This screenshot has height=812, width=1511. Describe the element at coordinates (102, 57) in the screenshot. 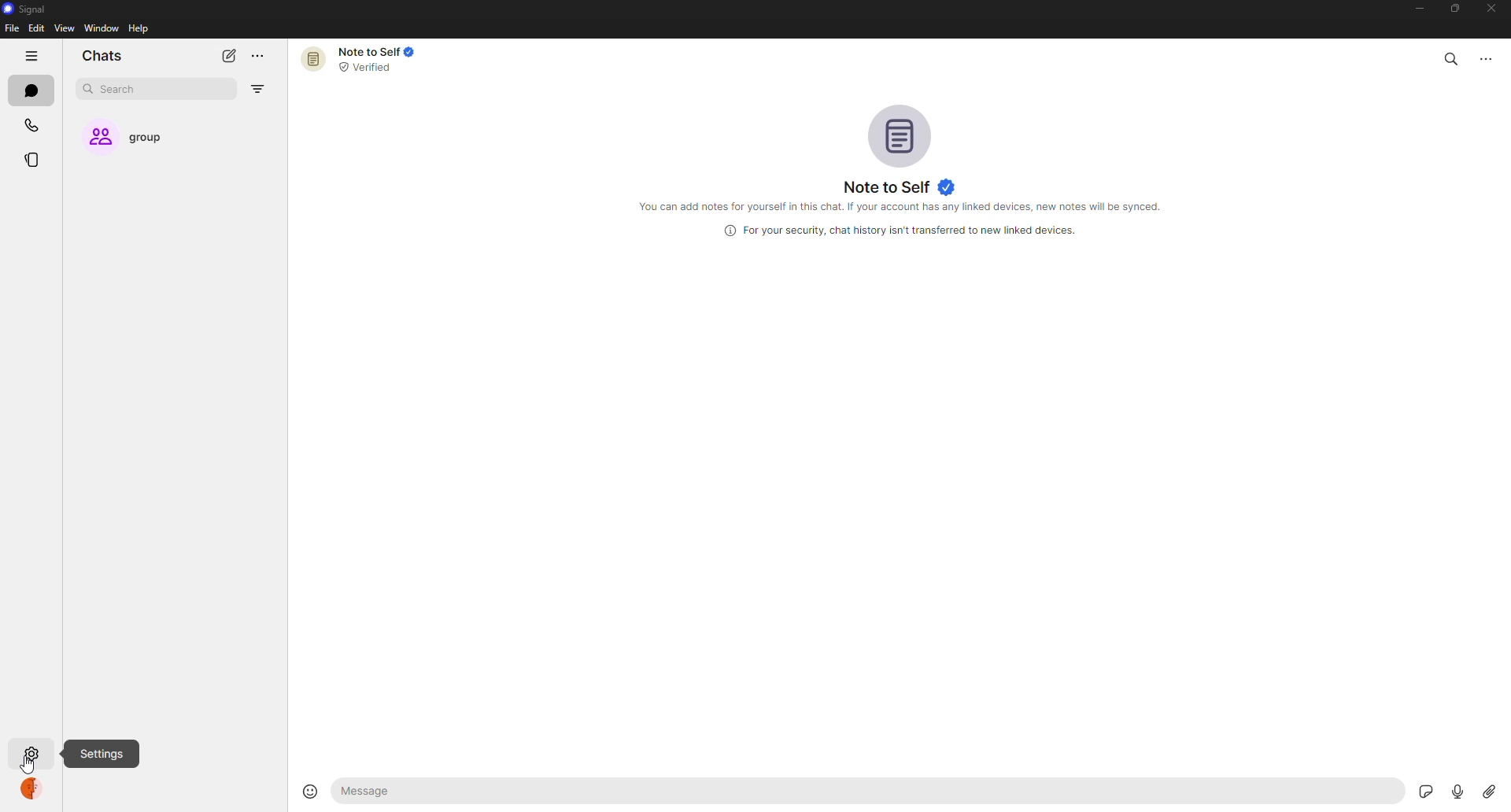

I see `chats` at that location.